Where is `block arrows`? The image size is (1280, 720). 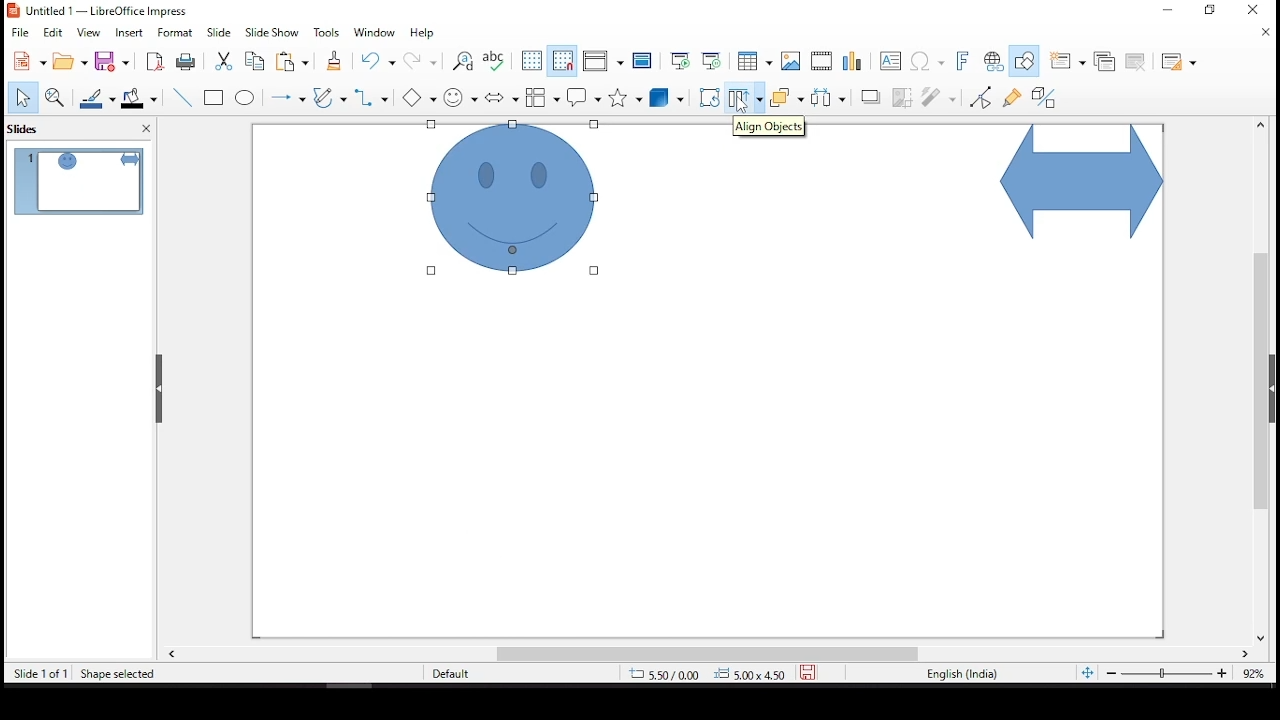
block arrows is located at coordinates (502, 99).